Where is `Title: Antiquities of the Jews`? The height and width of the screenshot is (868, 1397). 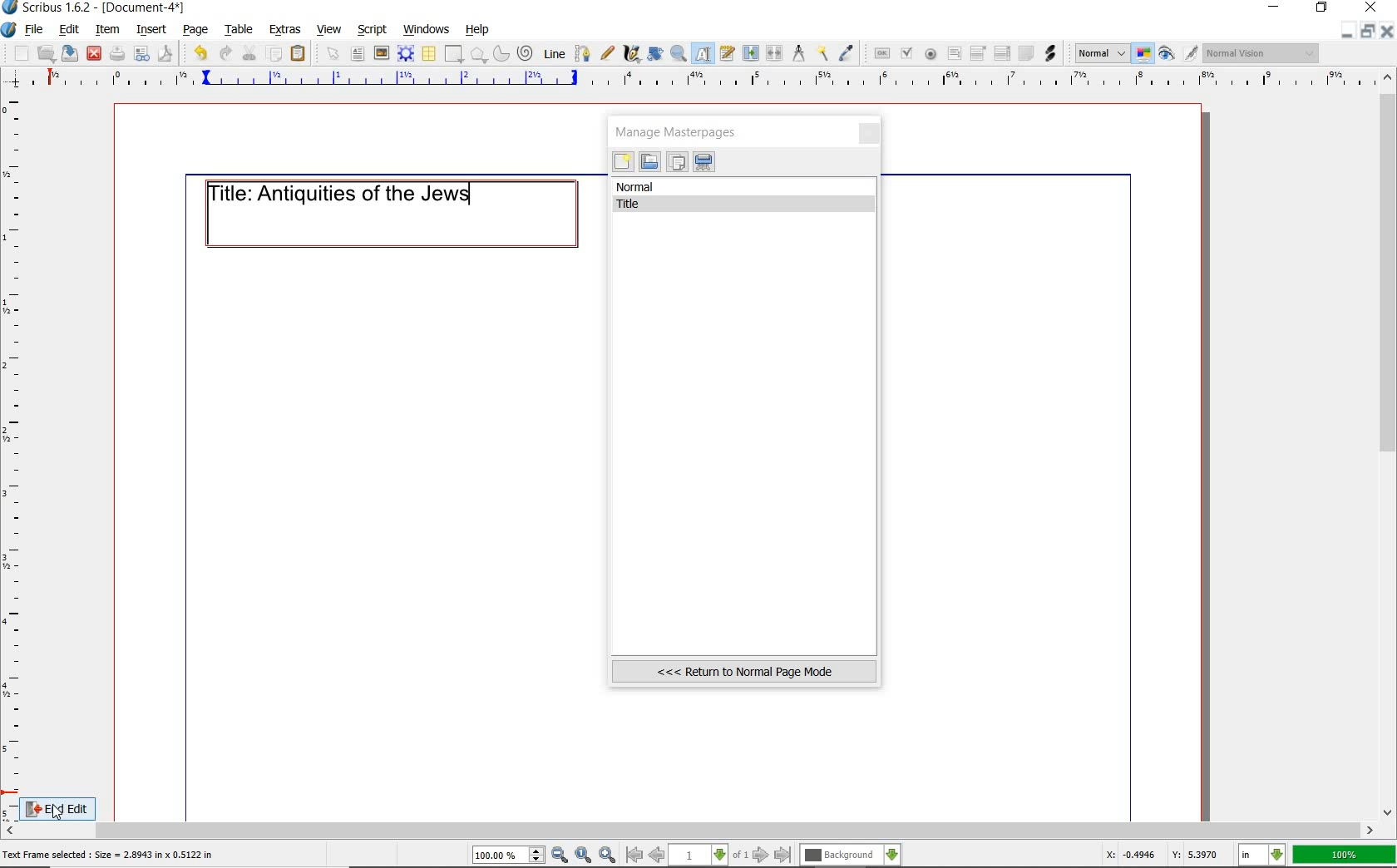 Title: Antiquities of the Jews is located at coordinates (354, 193).